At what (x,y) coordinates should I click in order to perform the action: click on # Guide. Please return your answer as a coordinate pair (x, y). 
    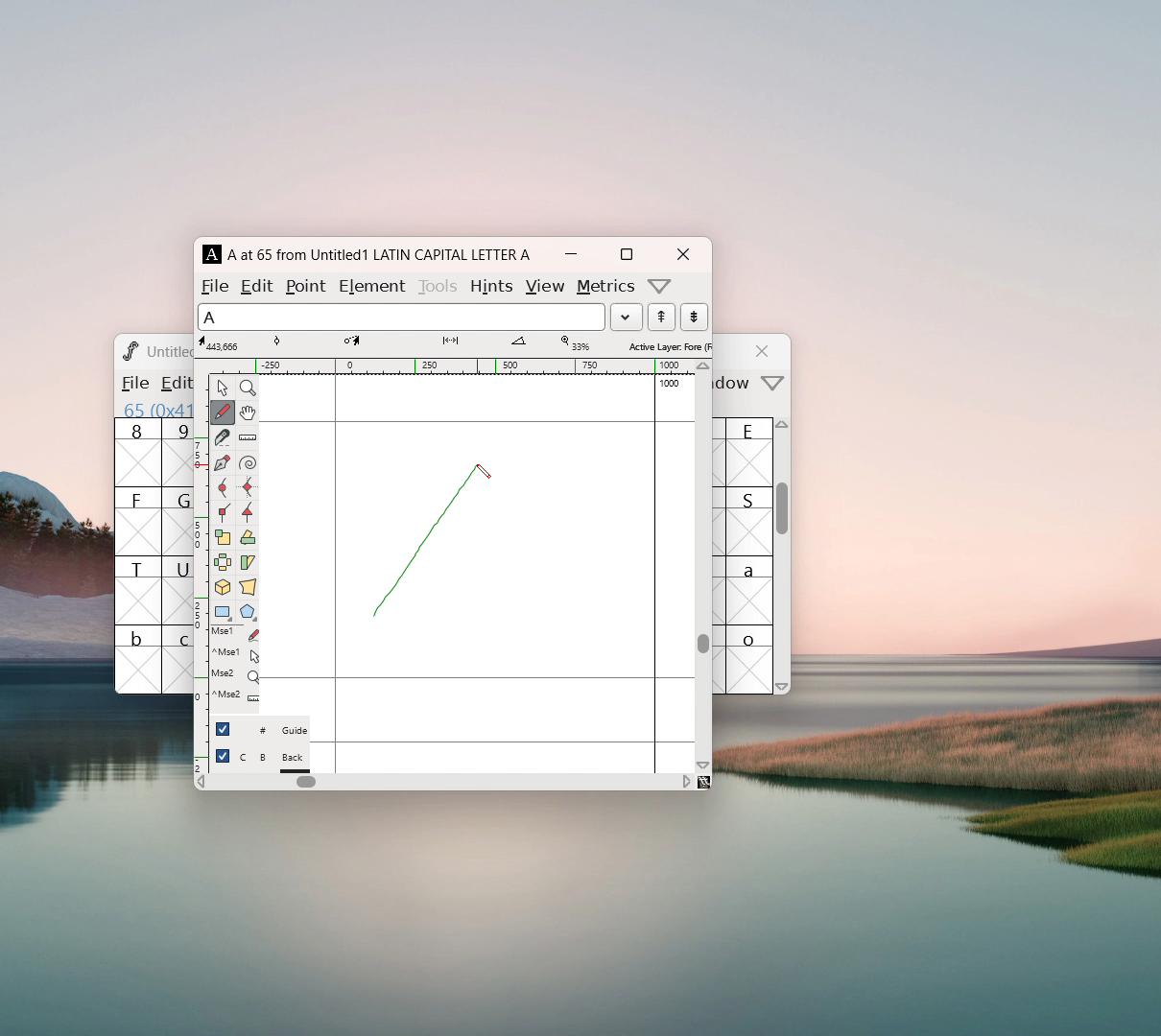
    Looking at the image, I should click on (273, 731).